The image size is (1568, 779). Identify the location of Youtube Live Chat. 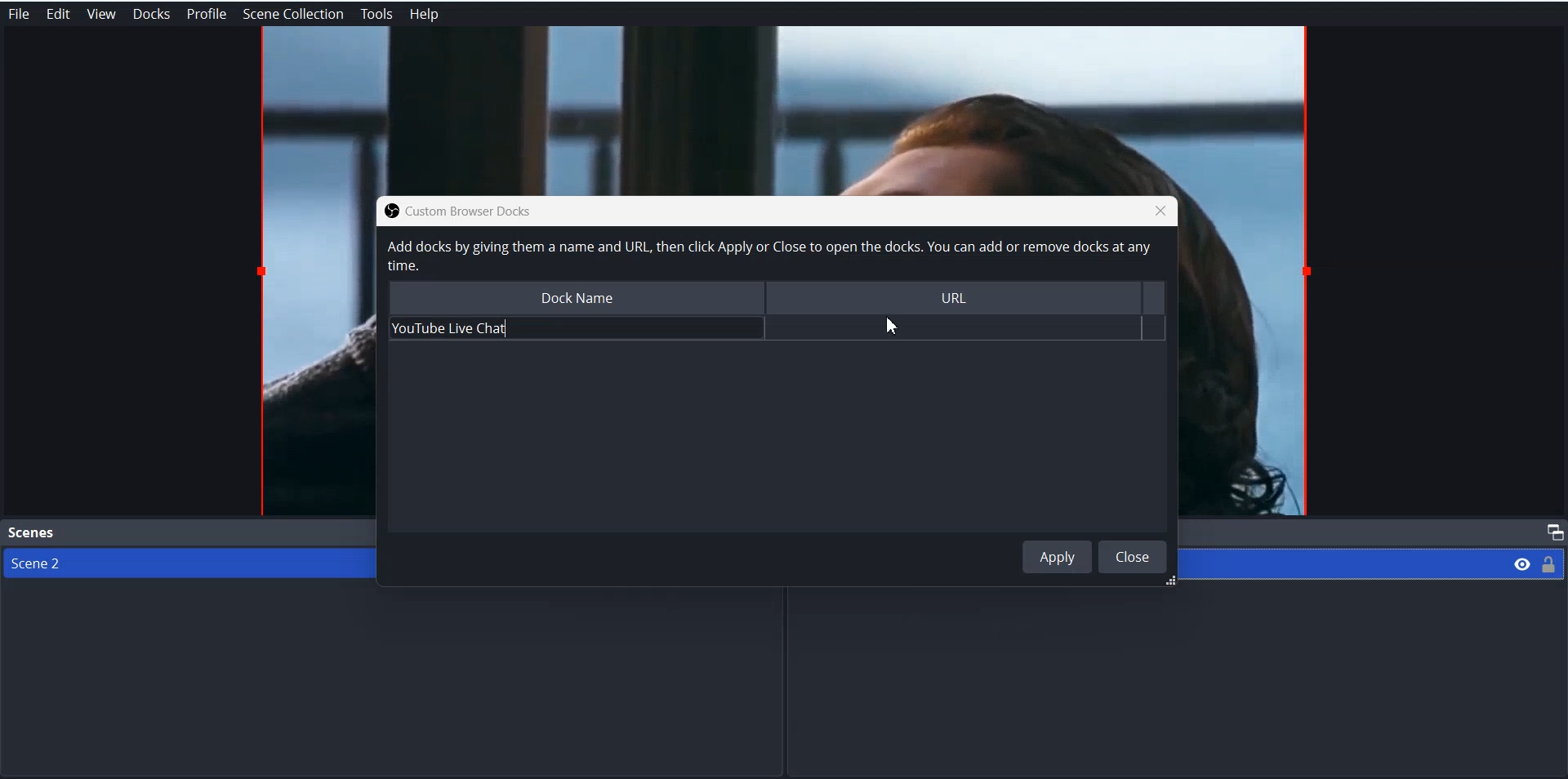
(571, 328).